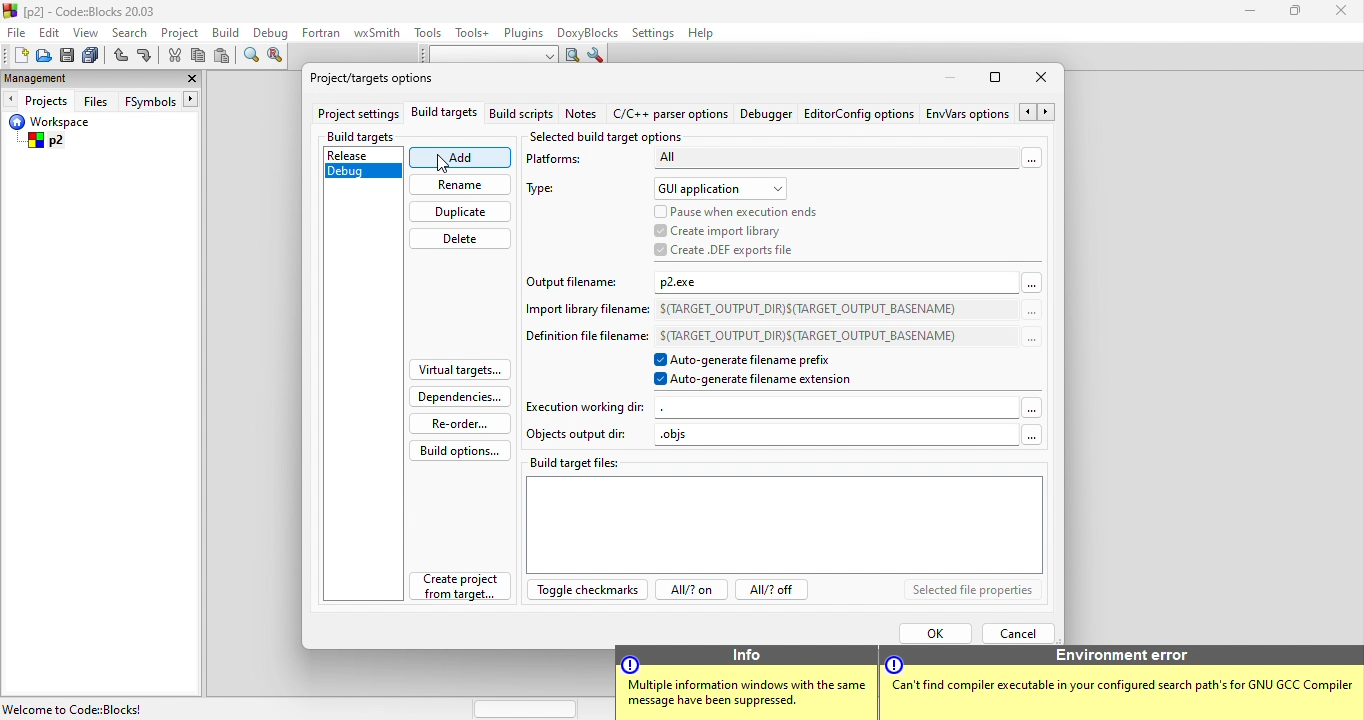  Describe the element at coordinates (75, 709) in the screenshot. I see `Welcome to Code::Blocks!` at that location.